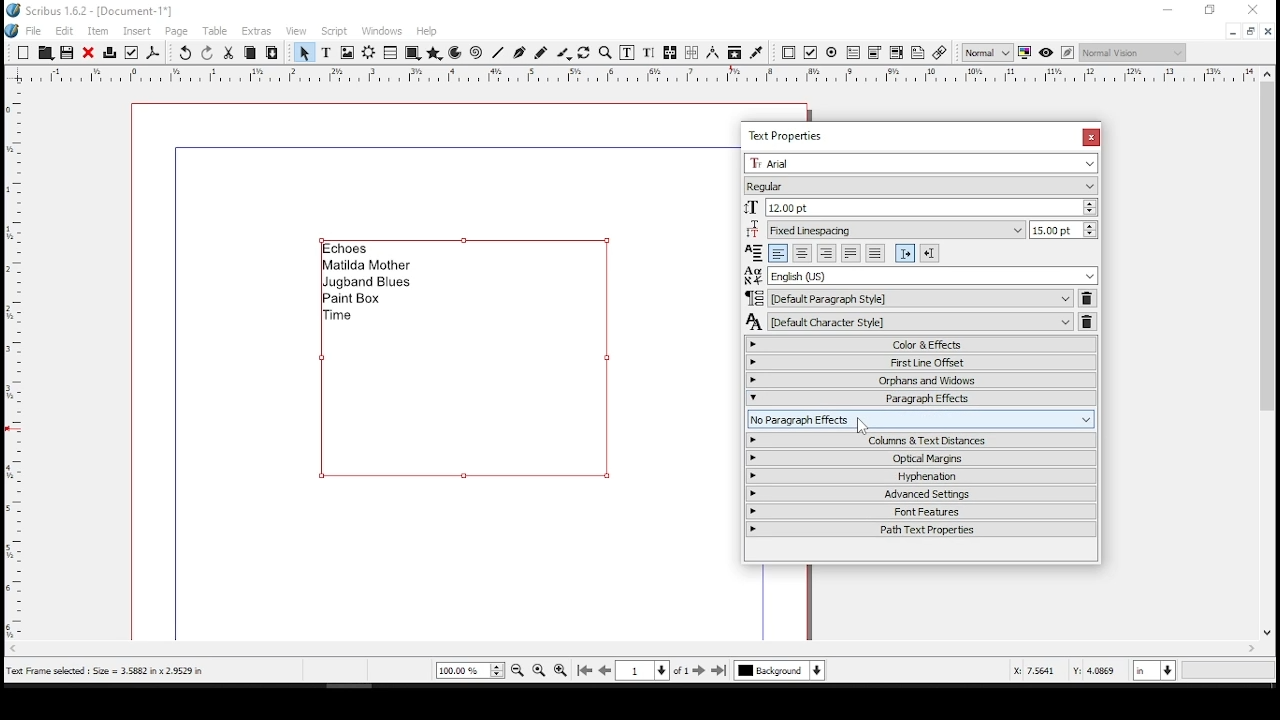 The height and width of the screenshot is (720, 1280). I want to click on Y: 3.1693, so click(1095, 671).